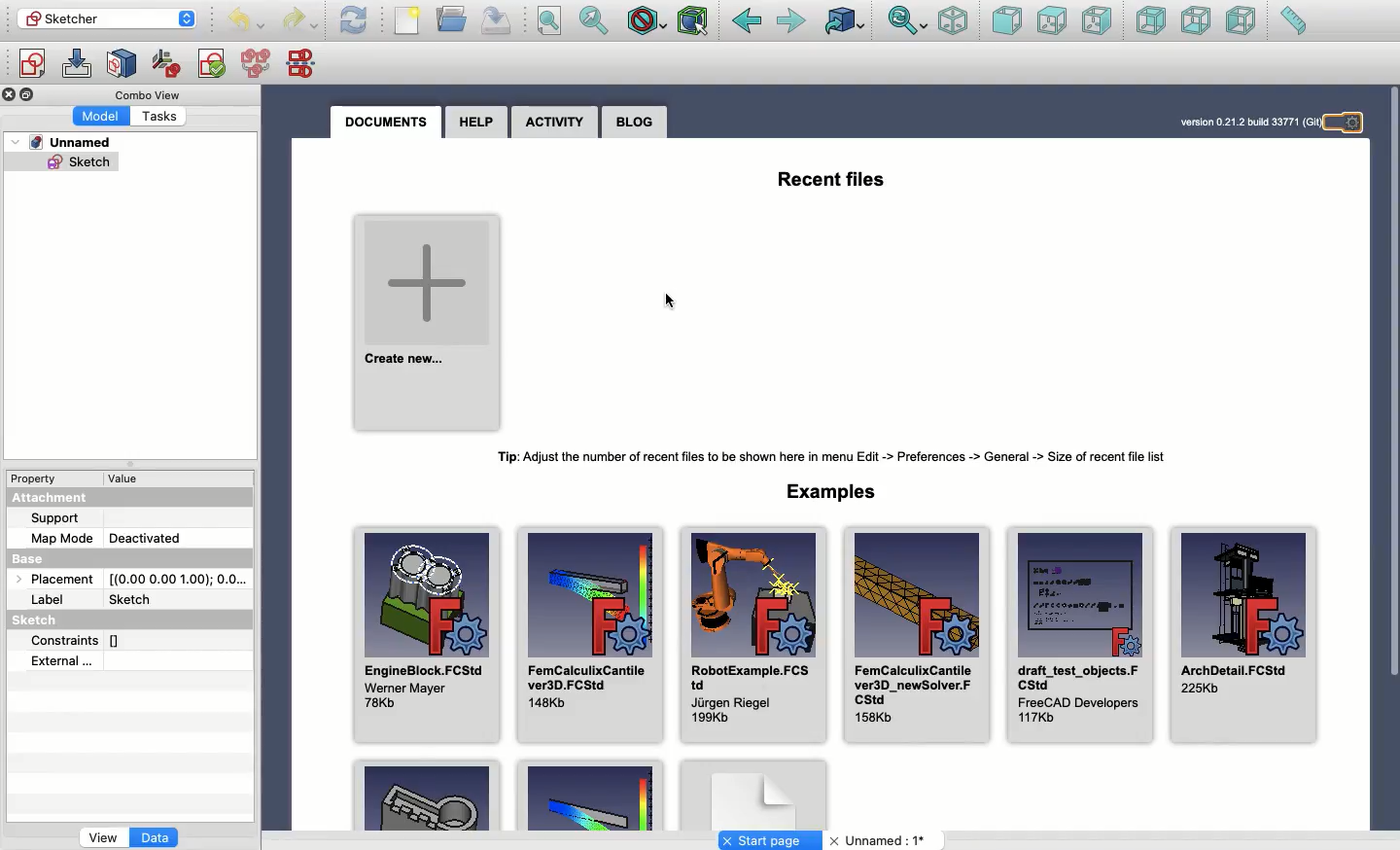 Image resolution: width=1400 pixels, height=850 pixels. What do you see at coordinates (429, 635) in the screenshot?
I see `EngineBlock.FCStd Wener Mayer 78Kb` at bounding box center [429, 635].